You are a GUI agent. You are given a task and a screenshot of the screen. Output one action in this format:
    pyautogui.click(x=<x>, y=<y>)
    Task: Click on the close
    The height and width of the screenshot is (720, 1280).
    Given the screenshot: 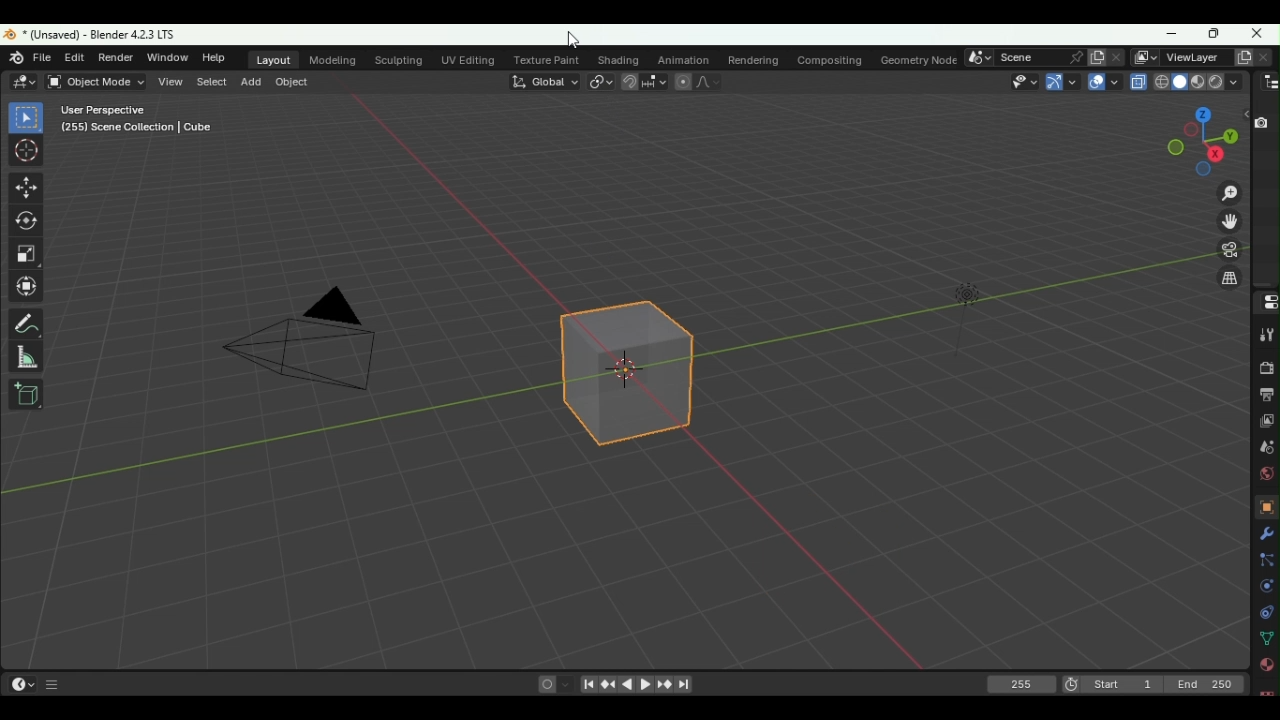 What is the action you would take?
    pyautogui.click(x=1257, y=33)
    